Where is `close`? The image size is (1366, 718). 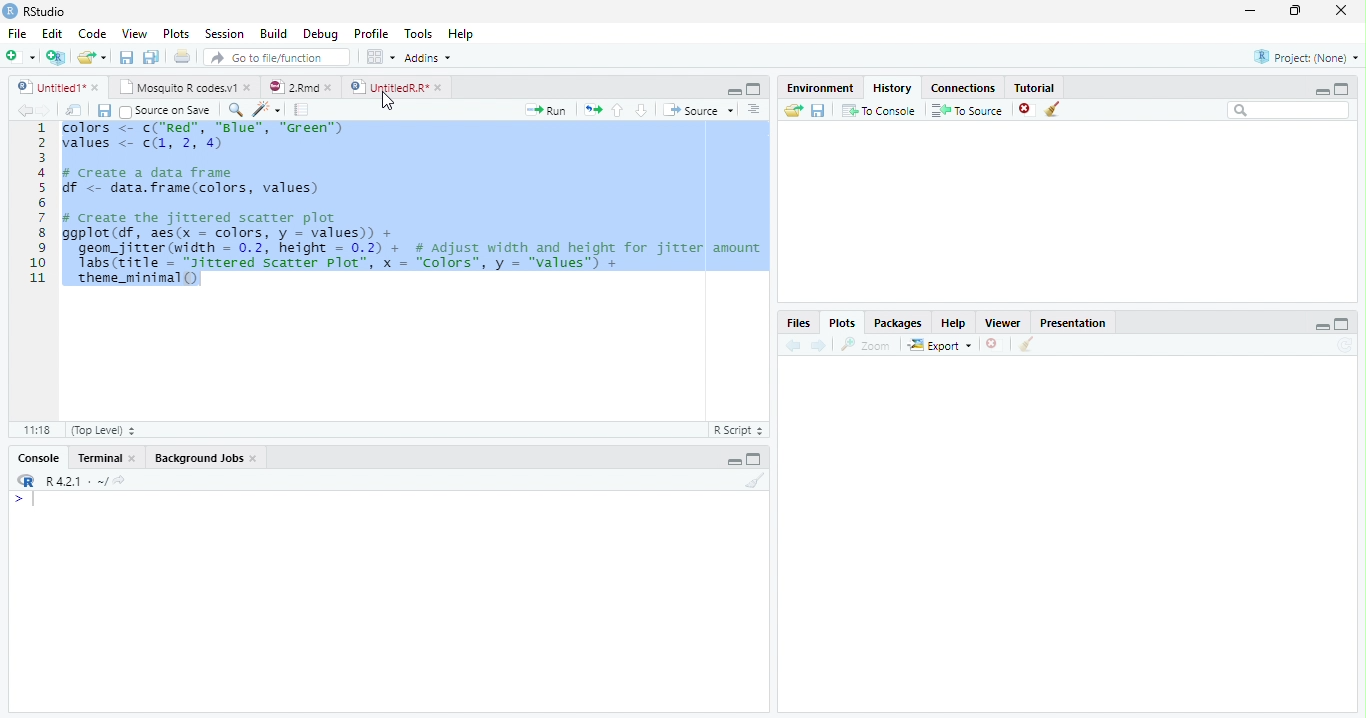
close is located at coordinates (247, 87).